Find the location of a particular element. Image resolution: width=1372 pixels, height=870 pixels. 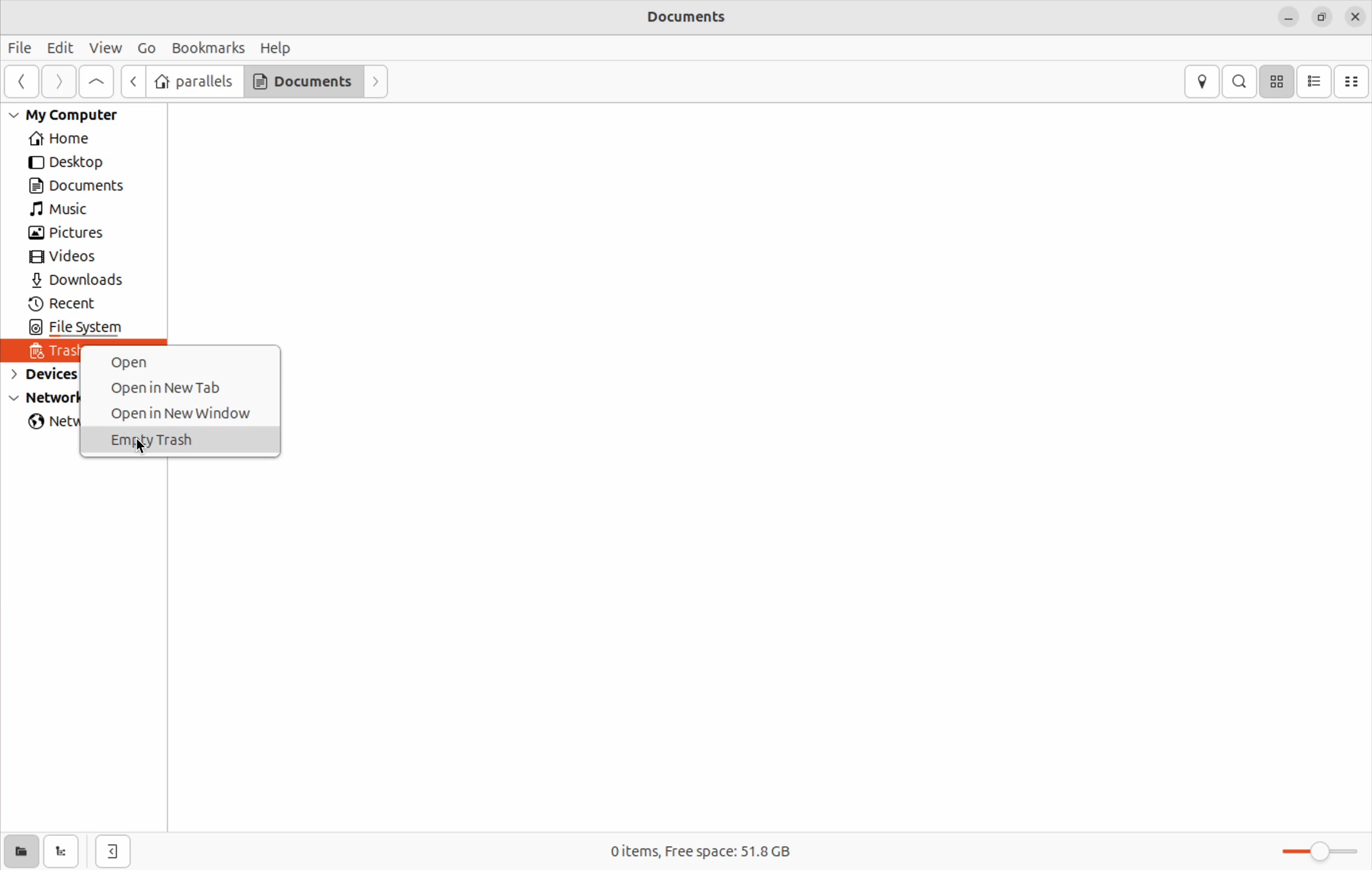

Book marks is located at coordinates (208, 46).